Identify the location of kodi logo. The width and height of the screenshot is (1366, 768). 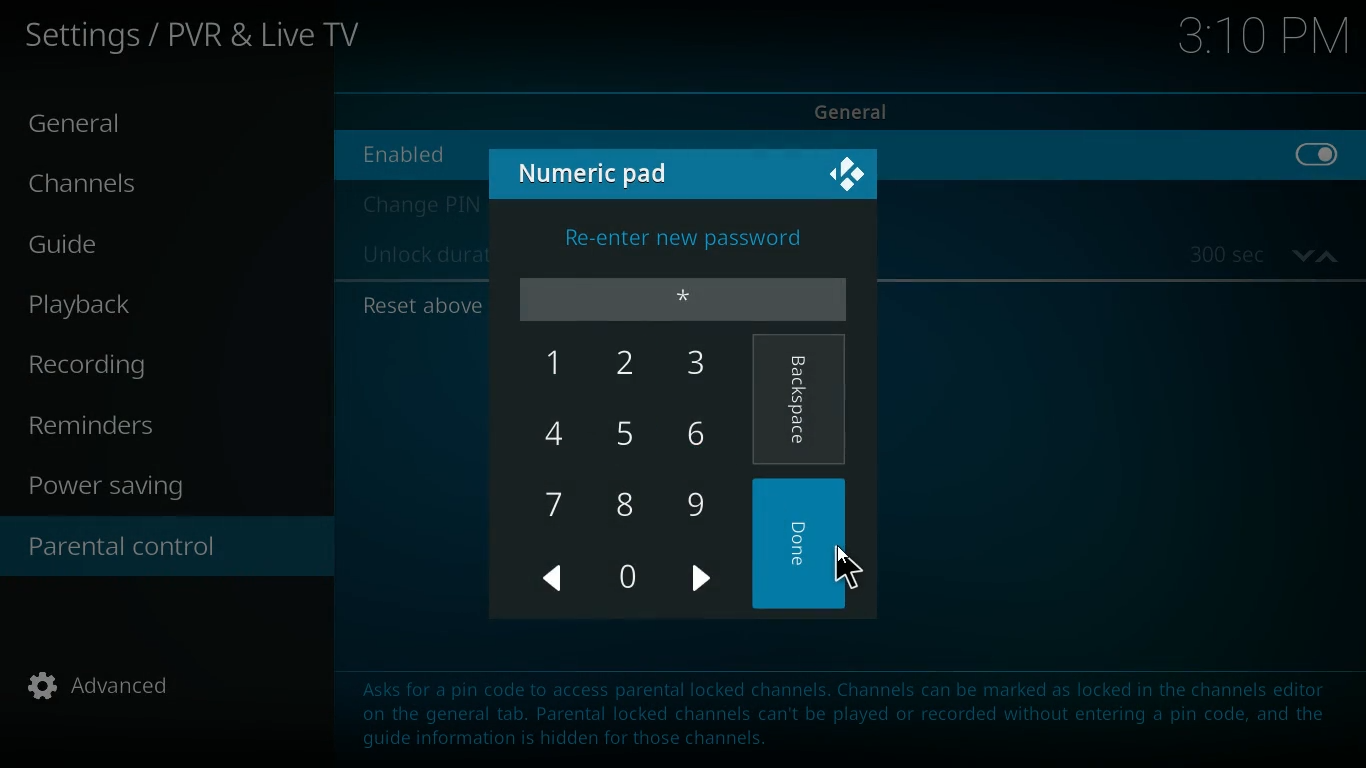
(849, 177).